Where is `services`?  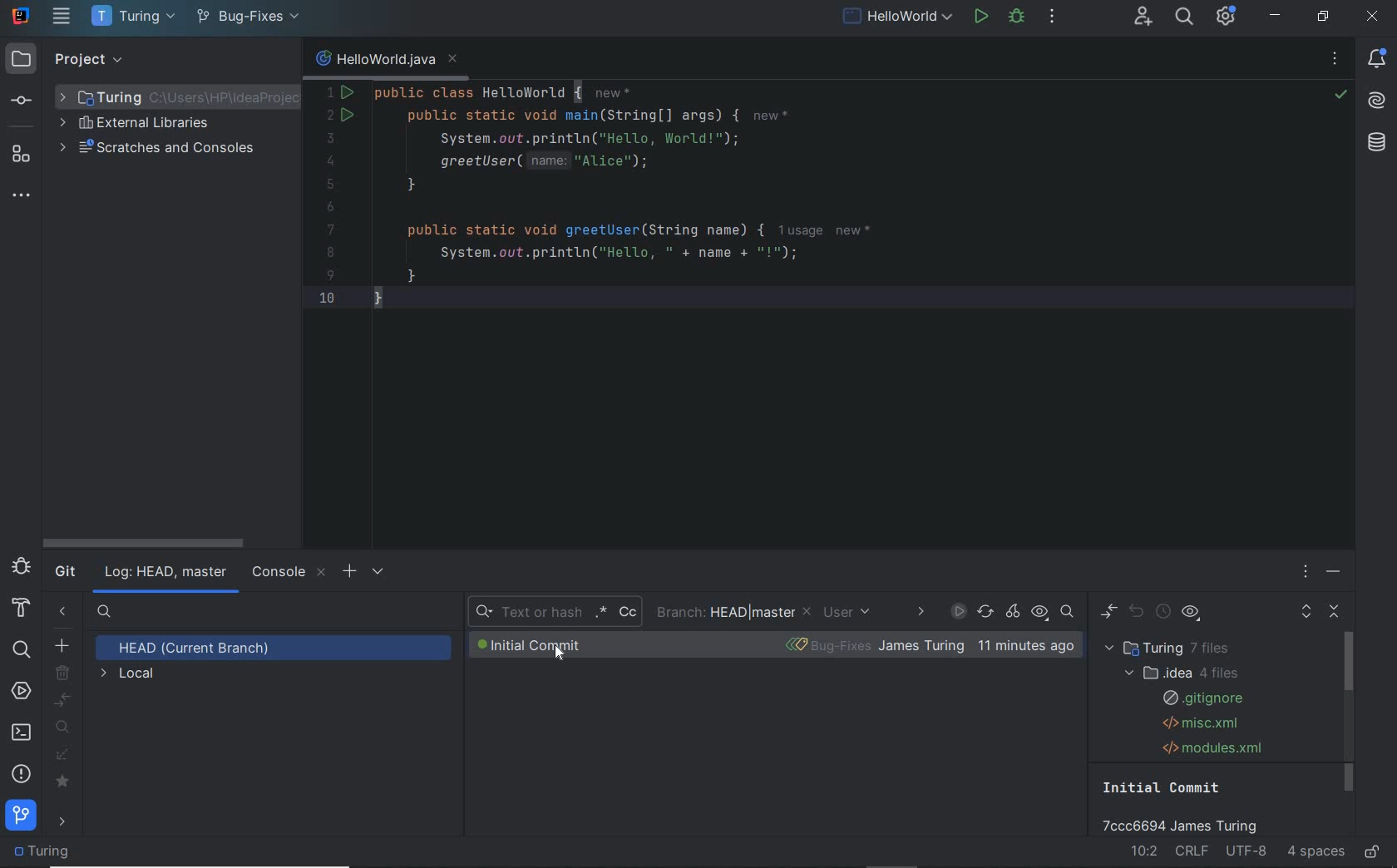 services is located at coordinates (22, 693).